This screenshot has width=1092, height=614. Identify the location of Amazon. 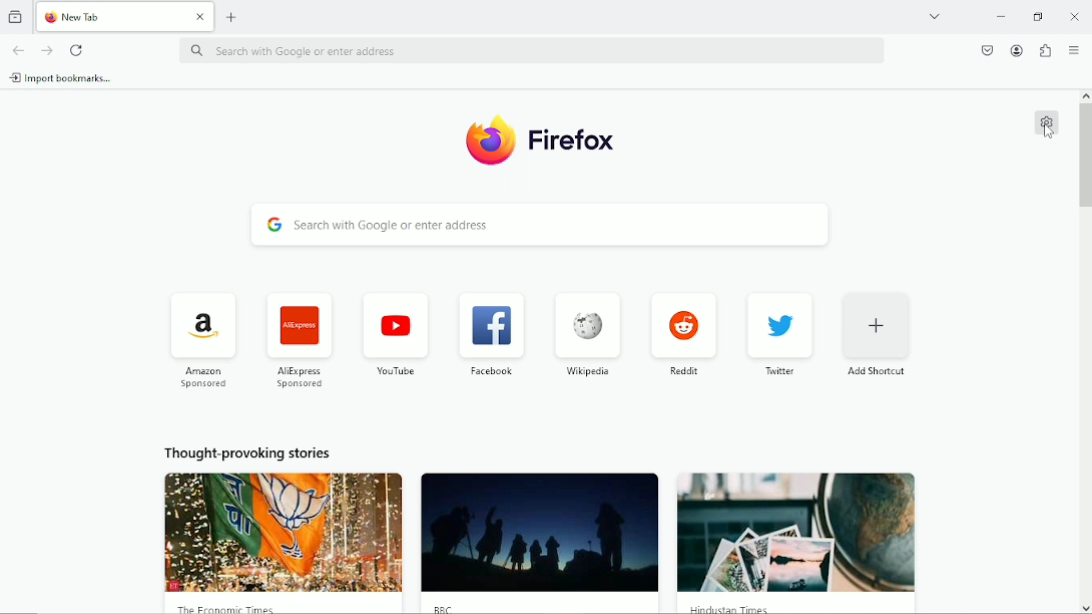
(199, 340).